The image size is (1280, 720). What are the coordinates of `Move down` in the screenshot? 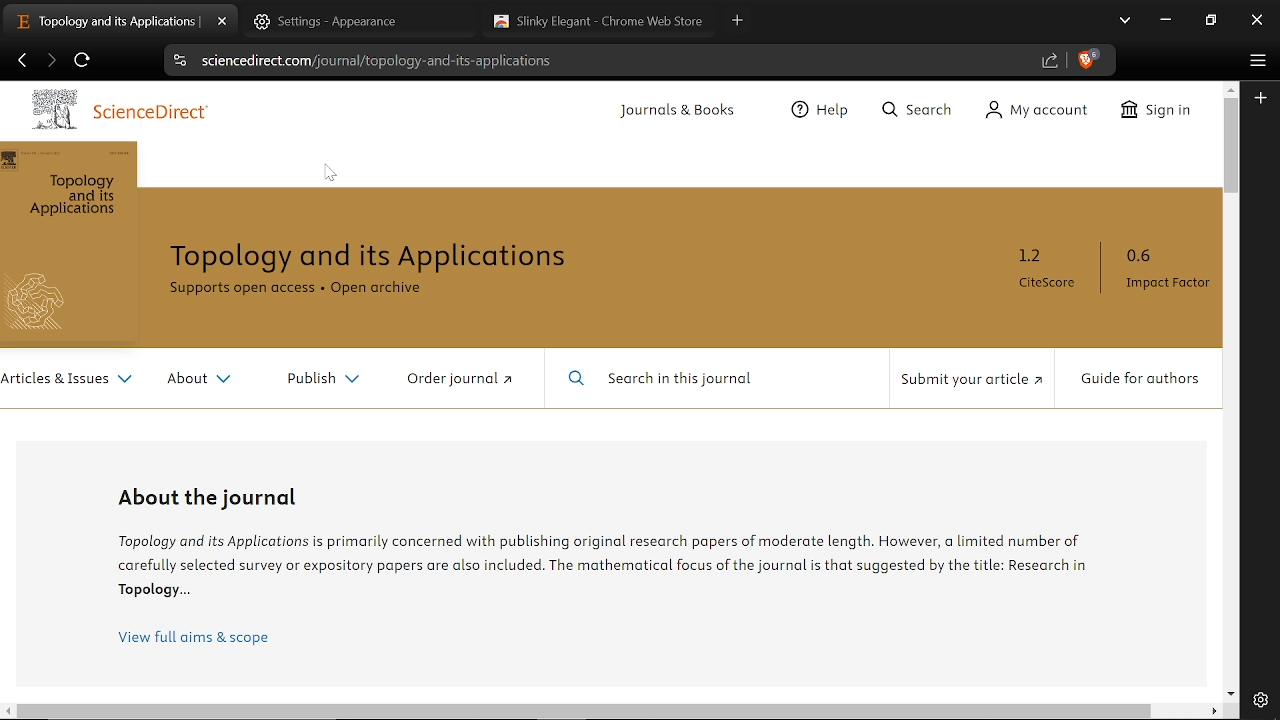 It's located at (1232, 693).